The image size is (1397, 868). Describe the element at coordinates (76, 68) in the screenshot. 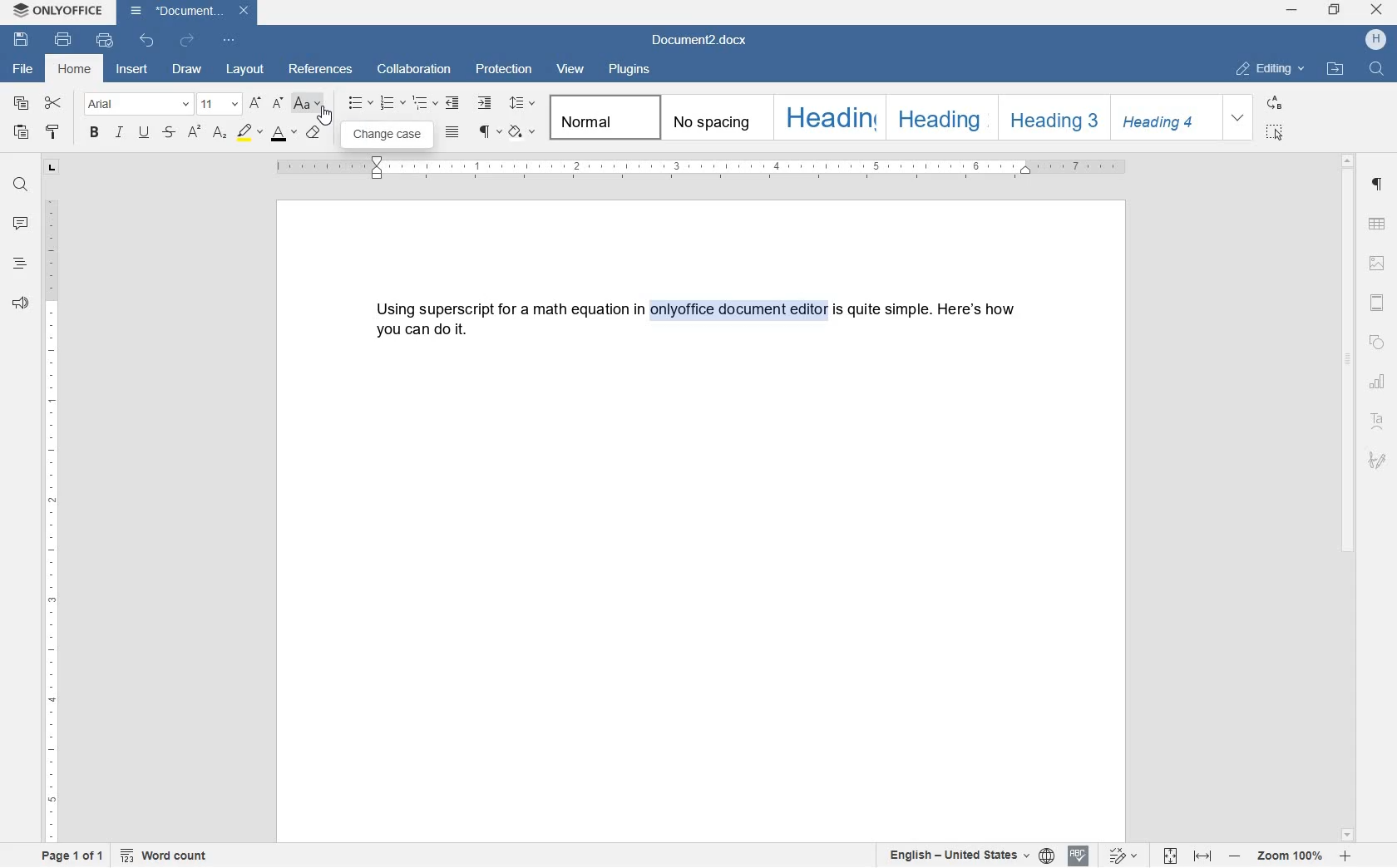

I see `home` at that location.